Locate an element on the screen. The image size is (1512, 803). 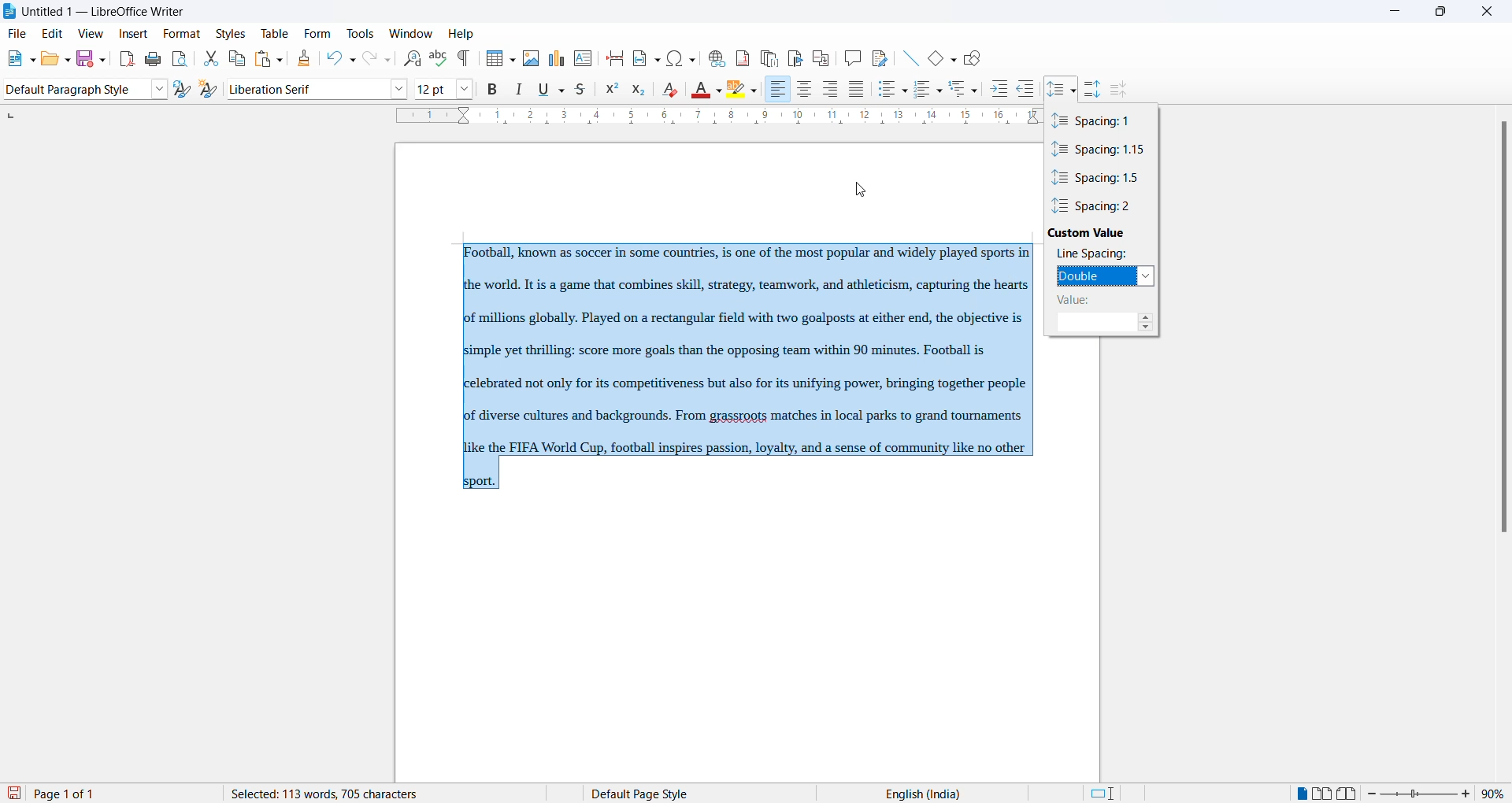
print preview is located at coordinates (182, 58).